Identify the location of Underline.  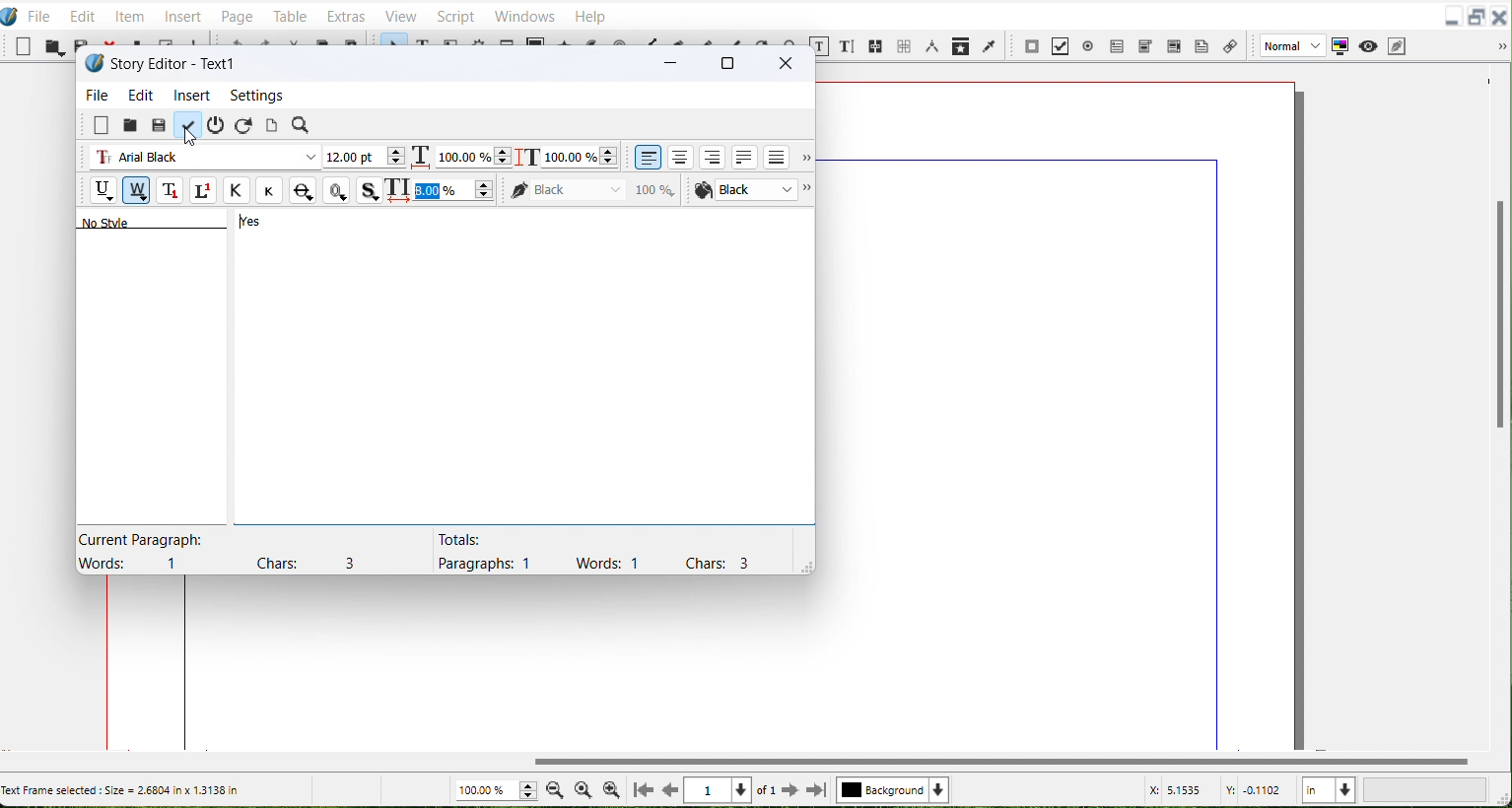
(101, 191).